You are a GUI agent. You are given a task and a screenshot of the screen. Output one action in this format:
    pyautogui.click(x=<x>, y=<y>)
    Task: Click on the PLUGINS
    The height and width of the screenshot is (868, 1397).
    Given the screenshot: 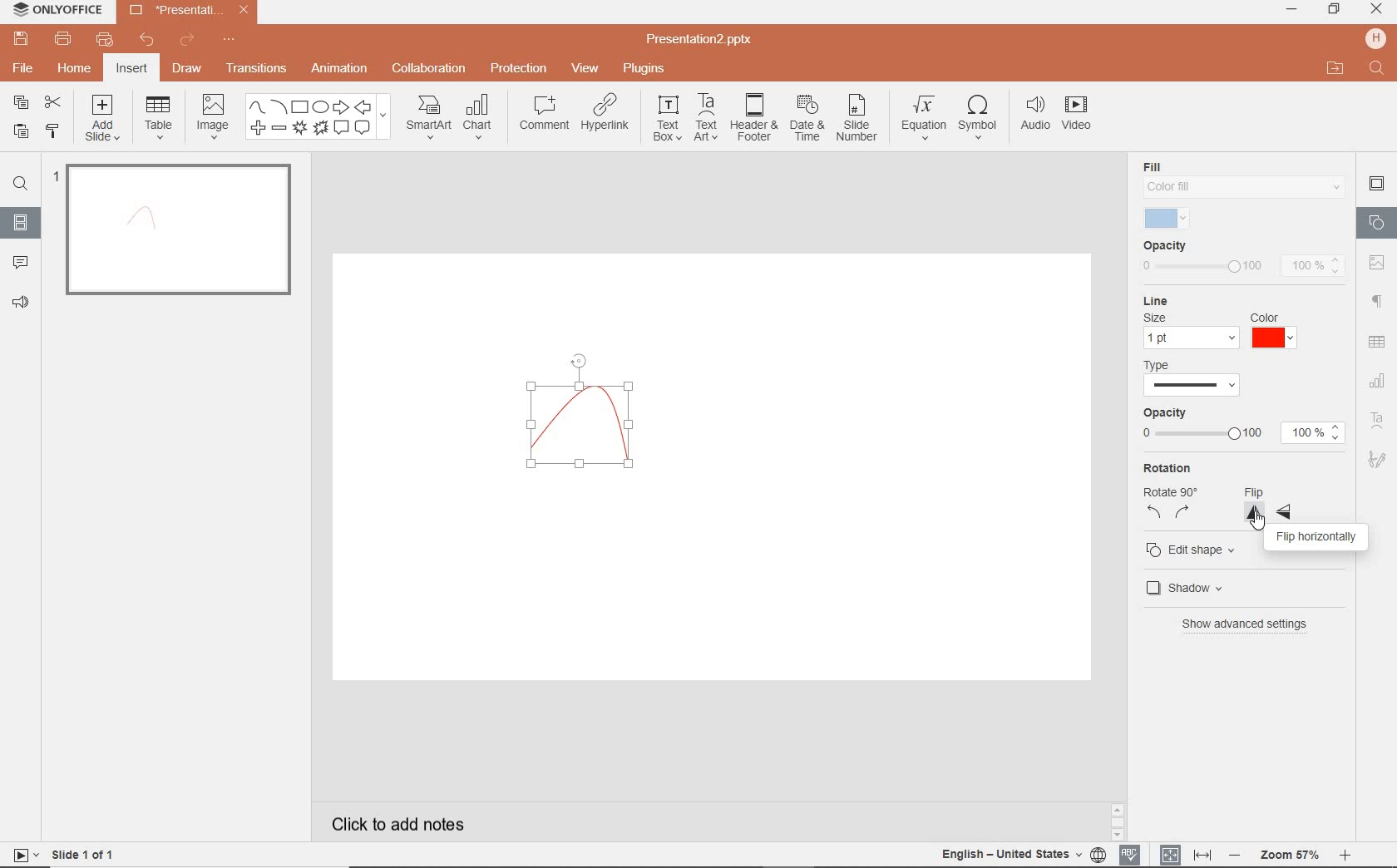 What is the action you would take?
    pyautogui.click(x=644, y=69)
    